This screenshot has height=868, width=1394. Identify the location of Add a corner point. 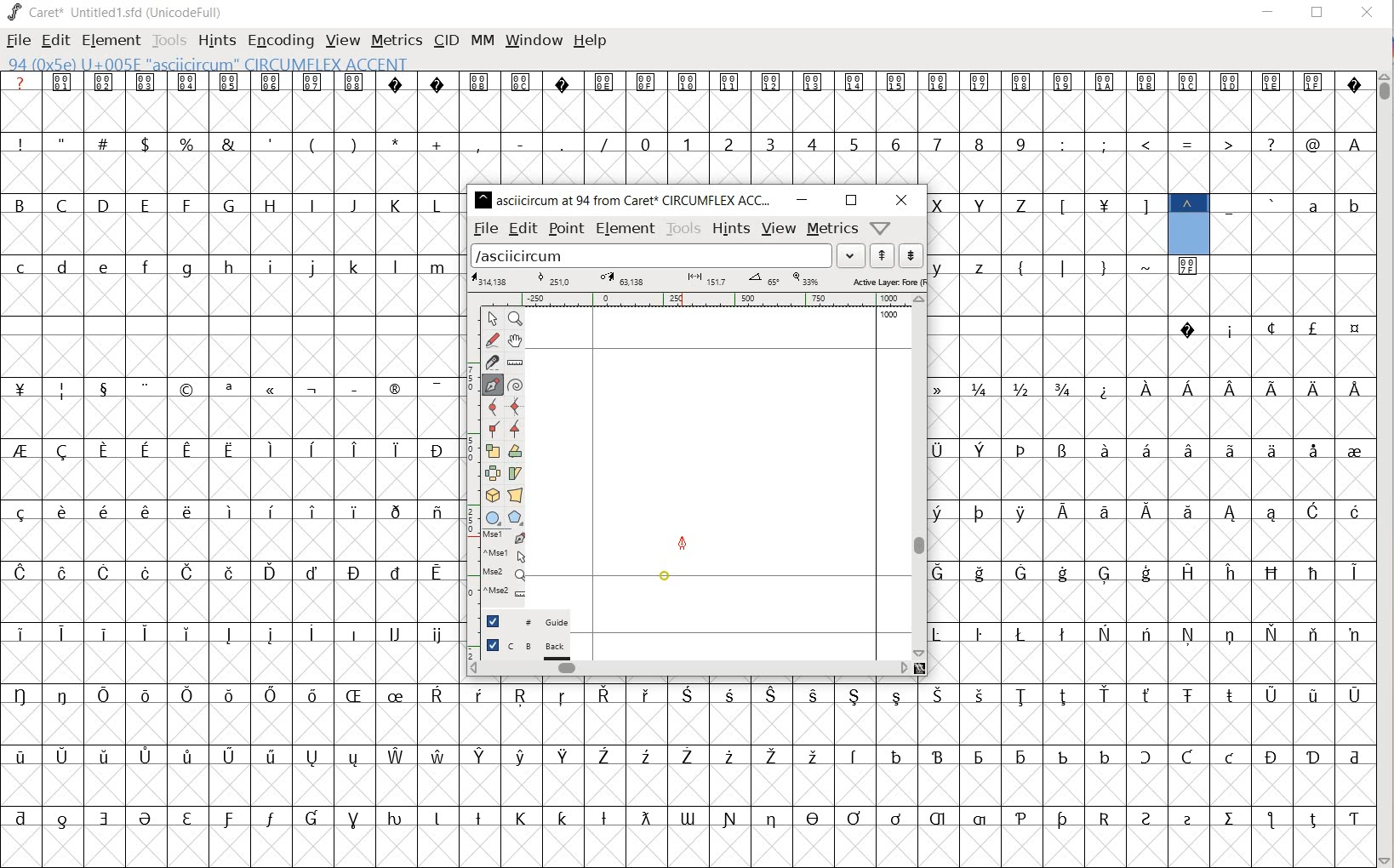
(516, 428).